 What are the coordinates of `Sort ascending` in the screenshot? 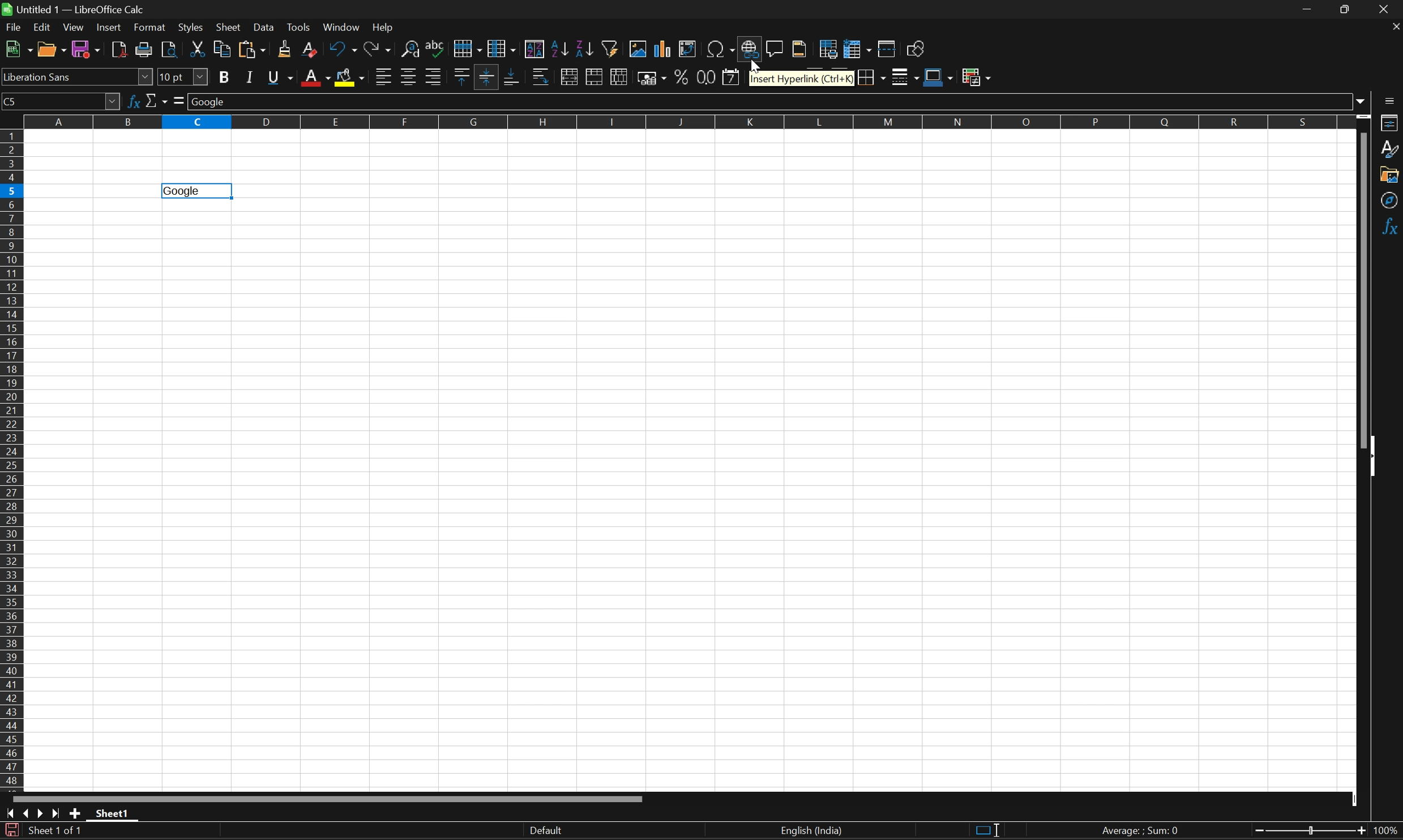 It's located at (559, 49).